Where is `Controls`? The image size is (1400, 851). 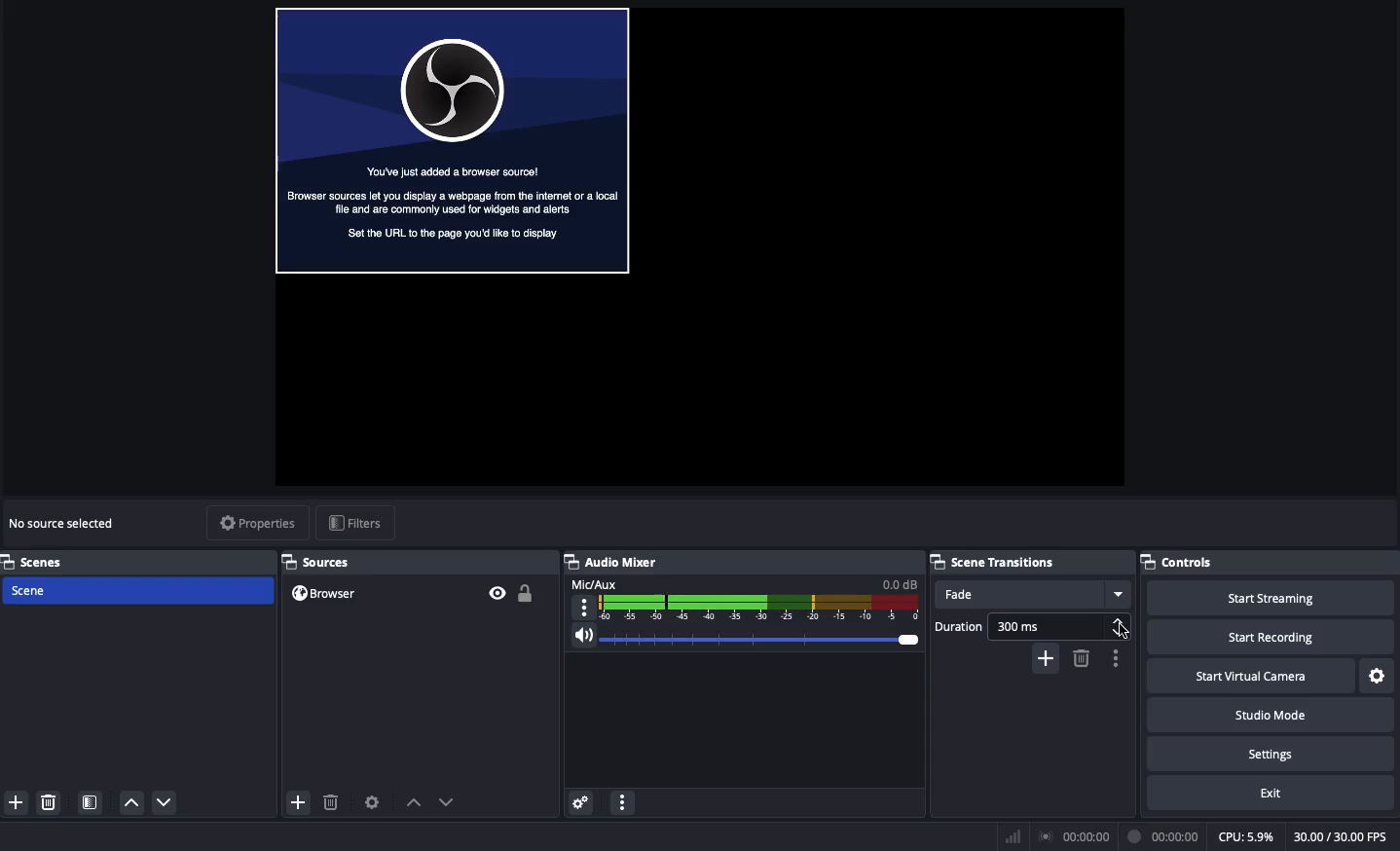
Controls is located at coordinates (1182, 563).